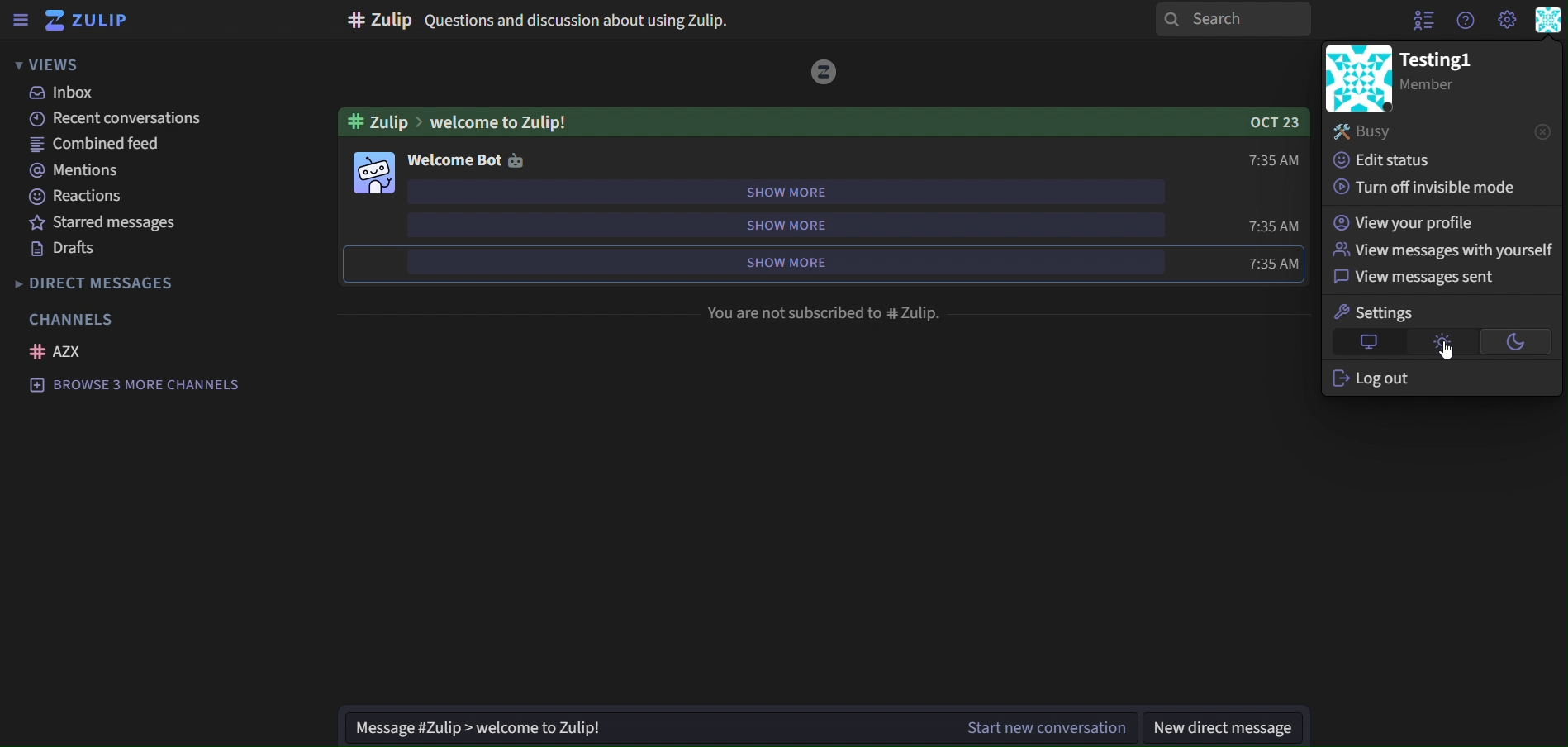  Describe the element at coordinates (1043, 725) in the screenshot. I see `Start new conversation` at that location.